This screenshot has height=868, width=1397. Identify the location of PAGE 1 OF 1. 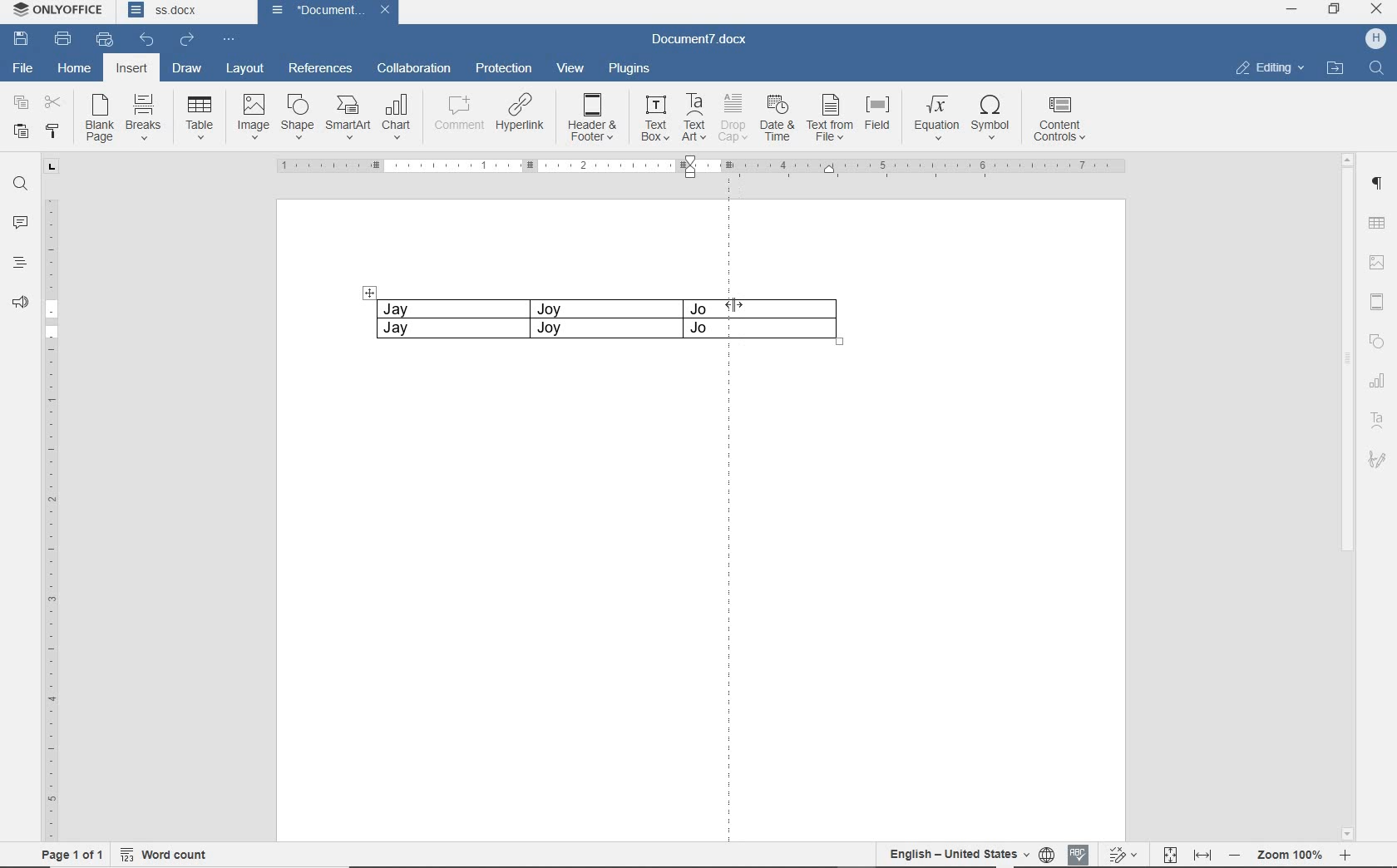
(72, 854).